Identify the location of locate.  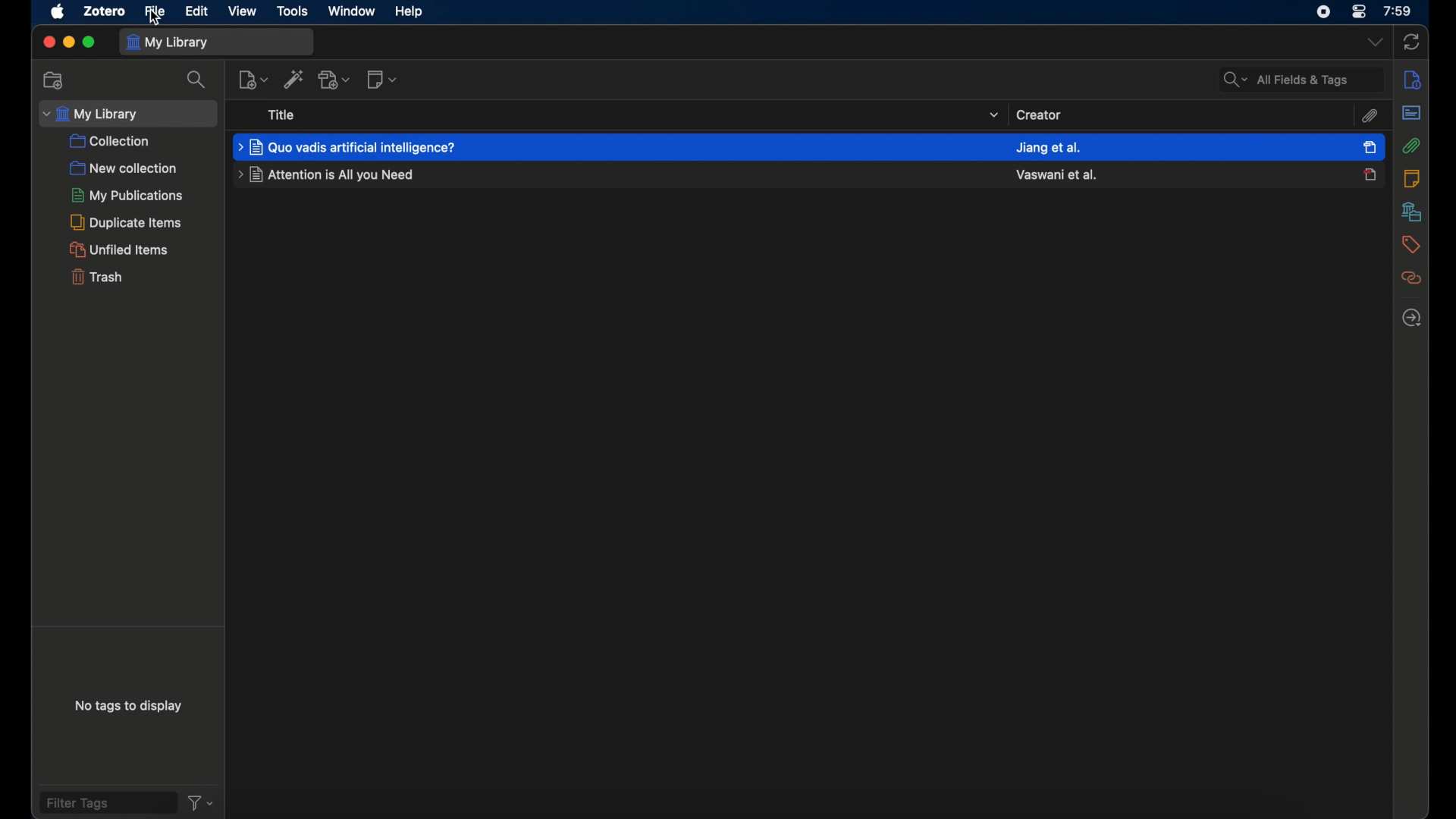
(1411, 318).